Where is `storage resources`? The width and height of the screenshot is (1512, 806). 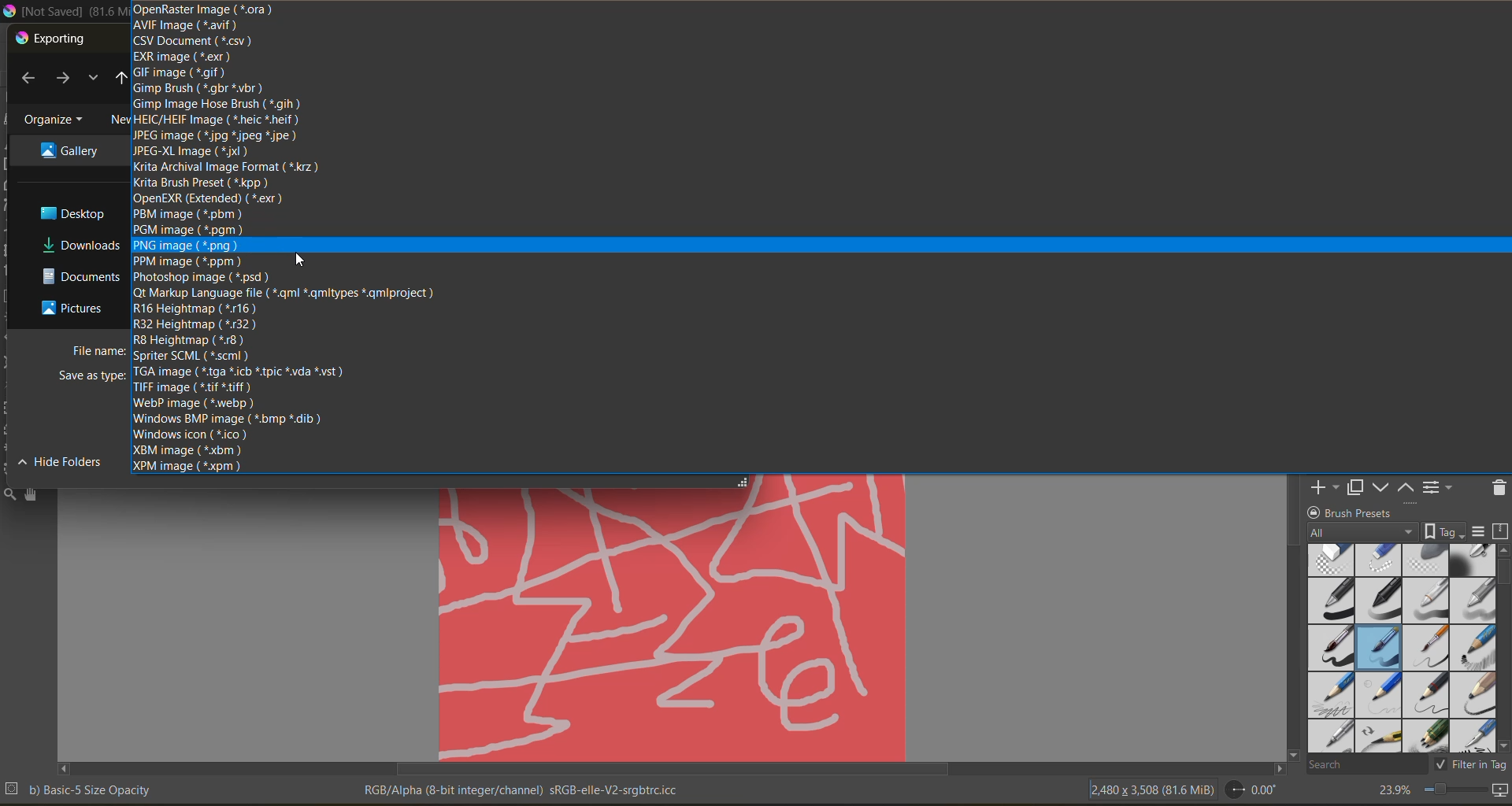
storage resources is located at coordinates (1503, 532).